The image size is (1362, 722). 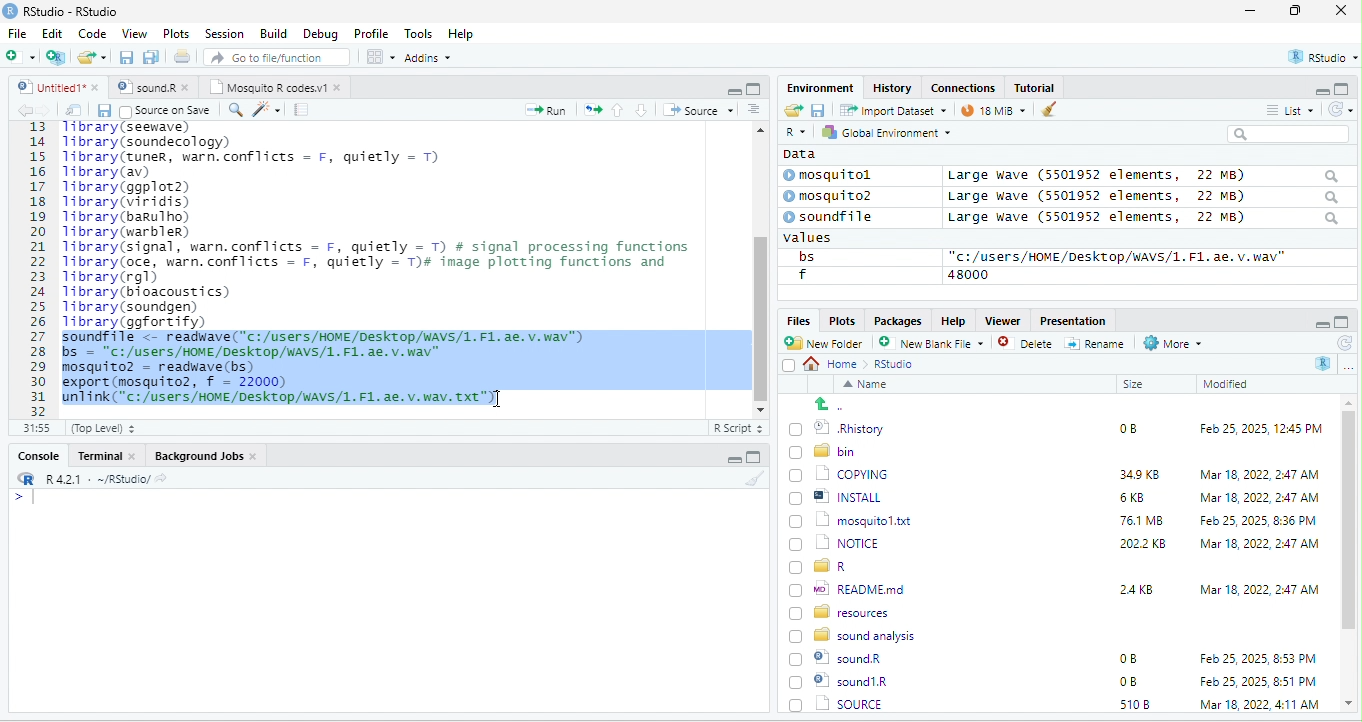 What do you see at coordinates (54, 87) in the screenshot?
I see `© Untitied1* »` at bounding box center [54, 87].